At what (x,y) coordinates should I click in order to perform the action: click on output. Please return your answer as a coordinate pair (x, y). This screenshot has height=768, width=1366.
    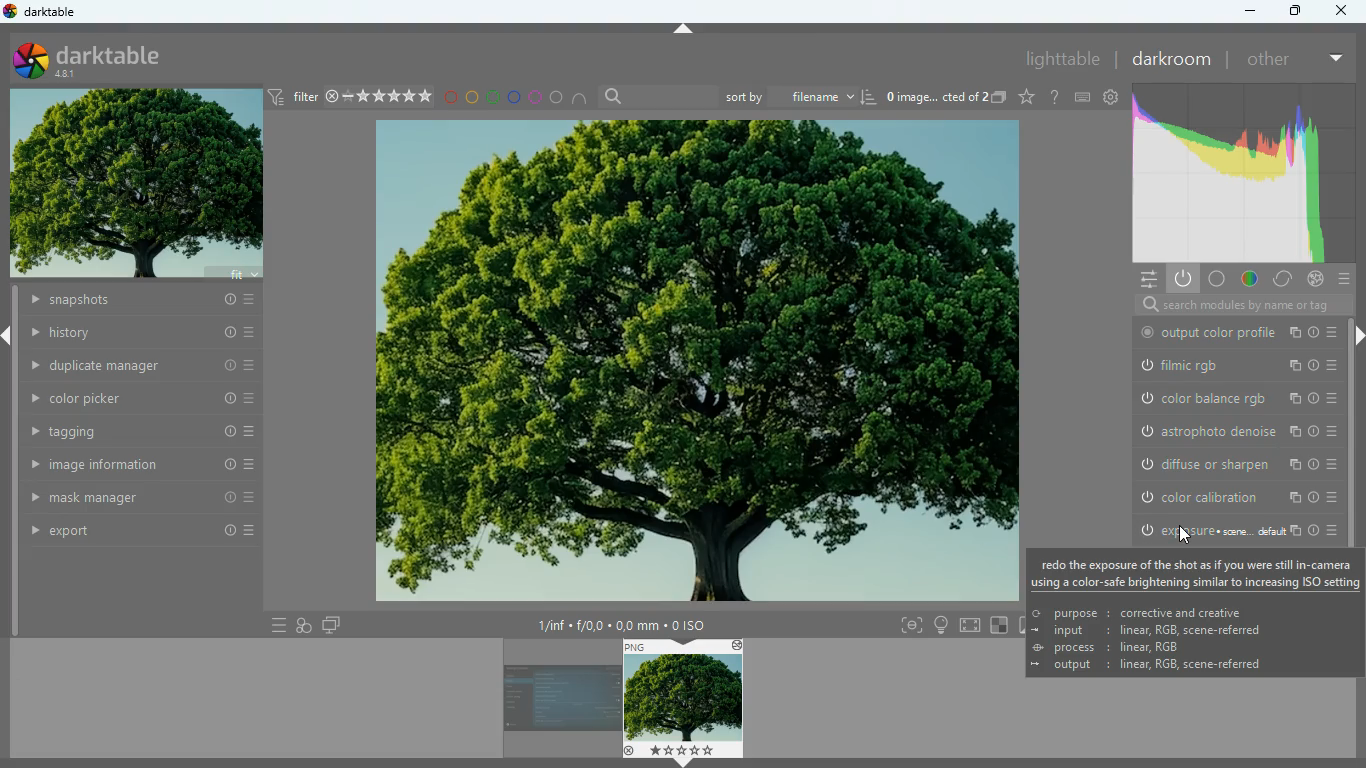
    Looking at the image, I should click on (1176, 667).